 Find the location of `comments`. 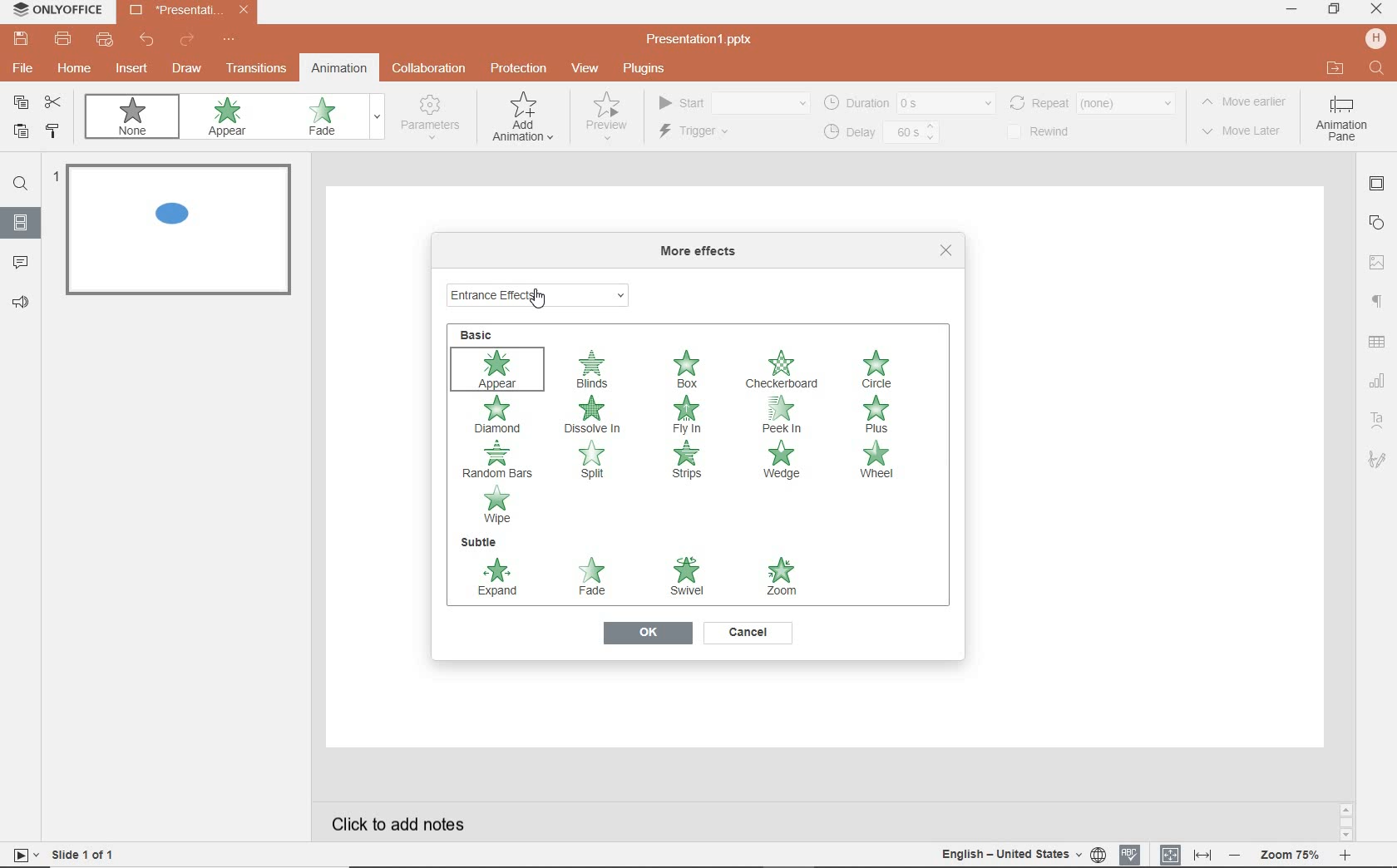

comments is located at coordinates (22, 263).